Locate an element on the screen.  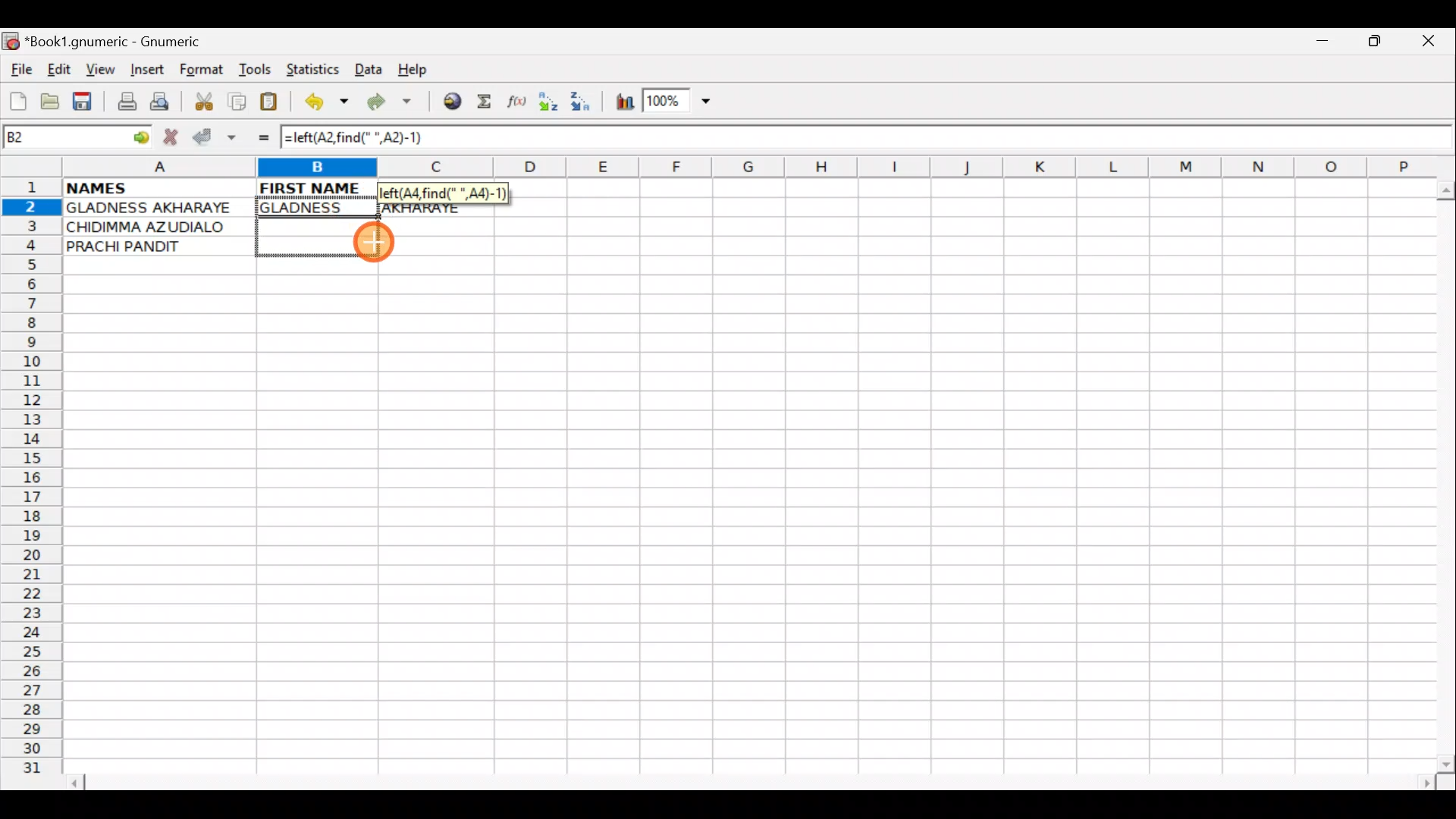
PRACHI PANDIT is located at coordinates (149, 246).